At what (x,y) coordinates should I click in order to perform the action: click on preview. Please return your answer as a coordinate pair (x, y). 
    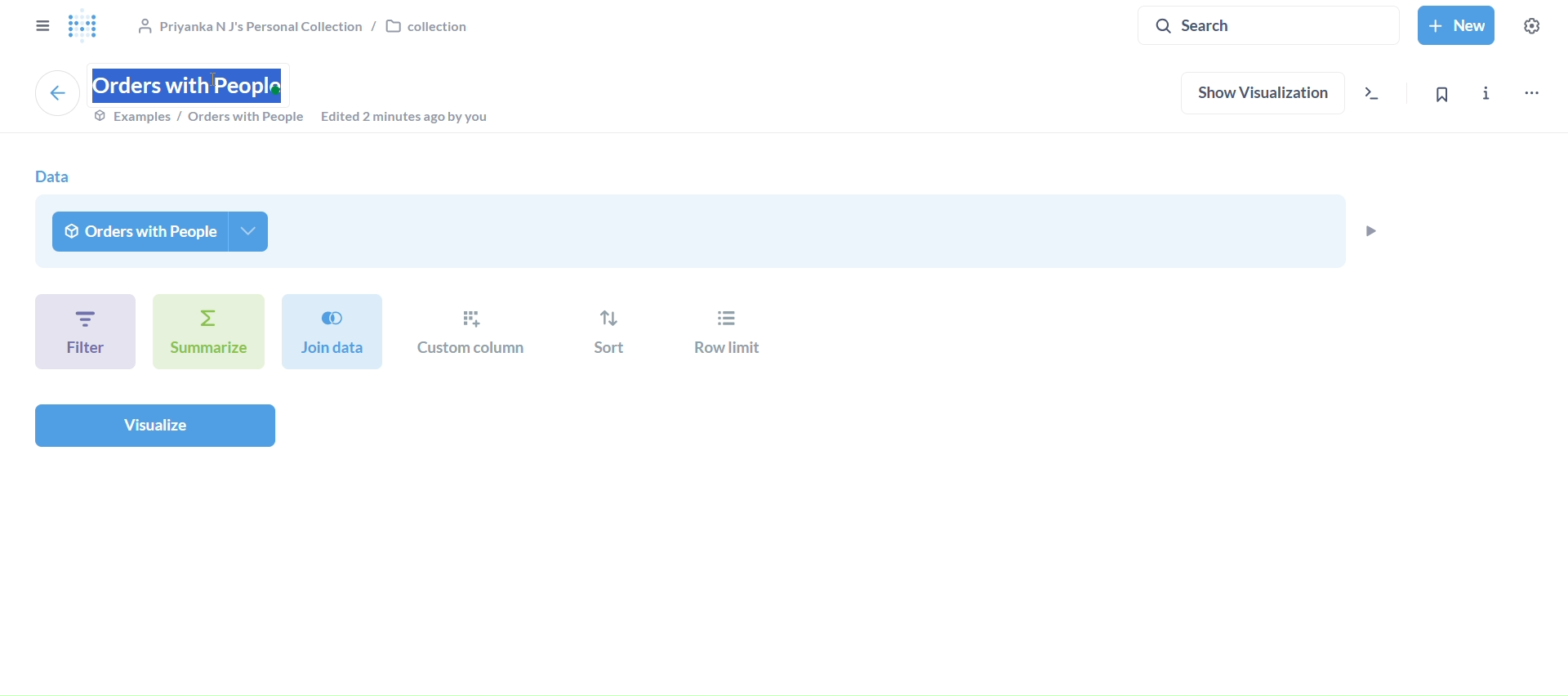
    Looking at the image, I should click on (1370, 230).